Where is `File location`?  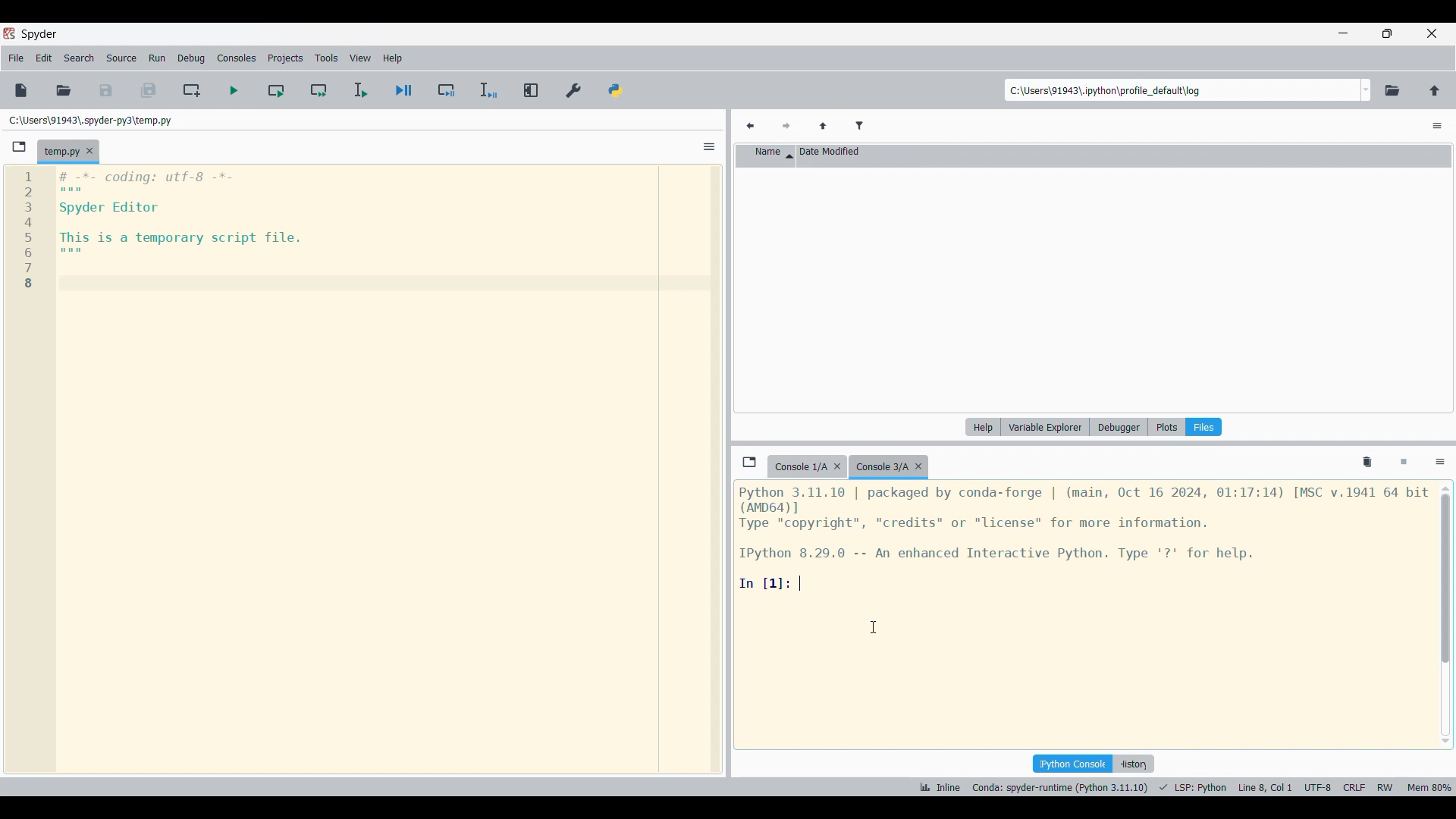 File location is located at coordinates (91, 121).